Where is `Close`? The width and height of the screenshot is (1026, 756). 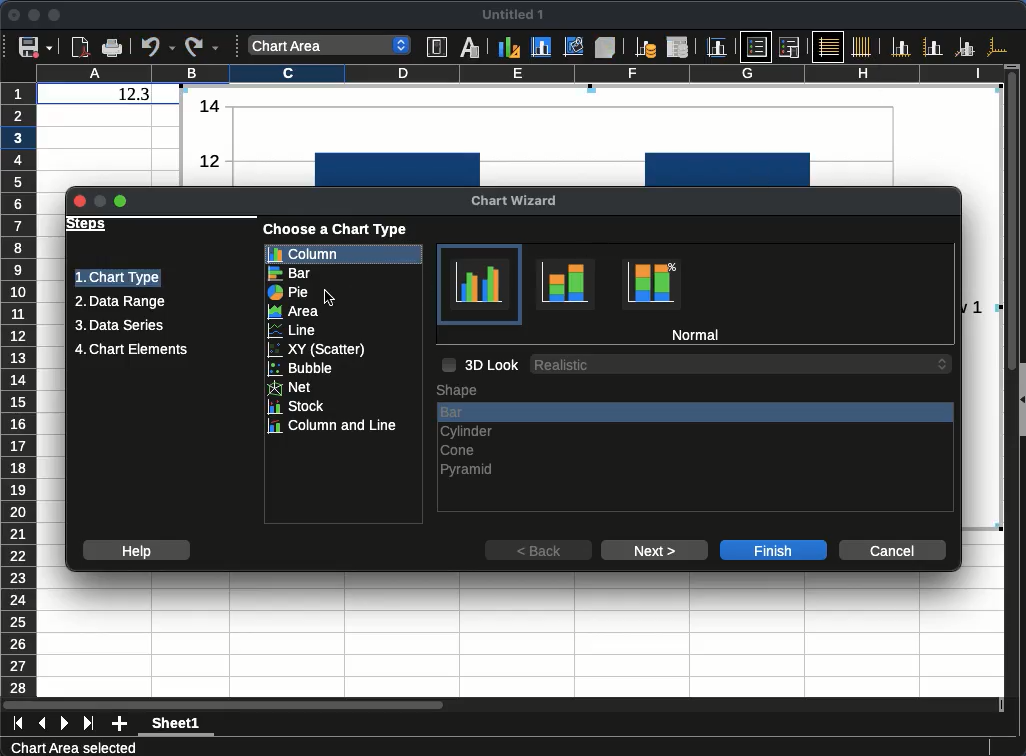 Close is located at coordinates (80, 201).